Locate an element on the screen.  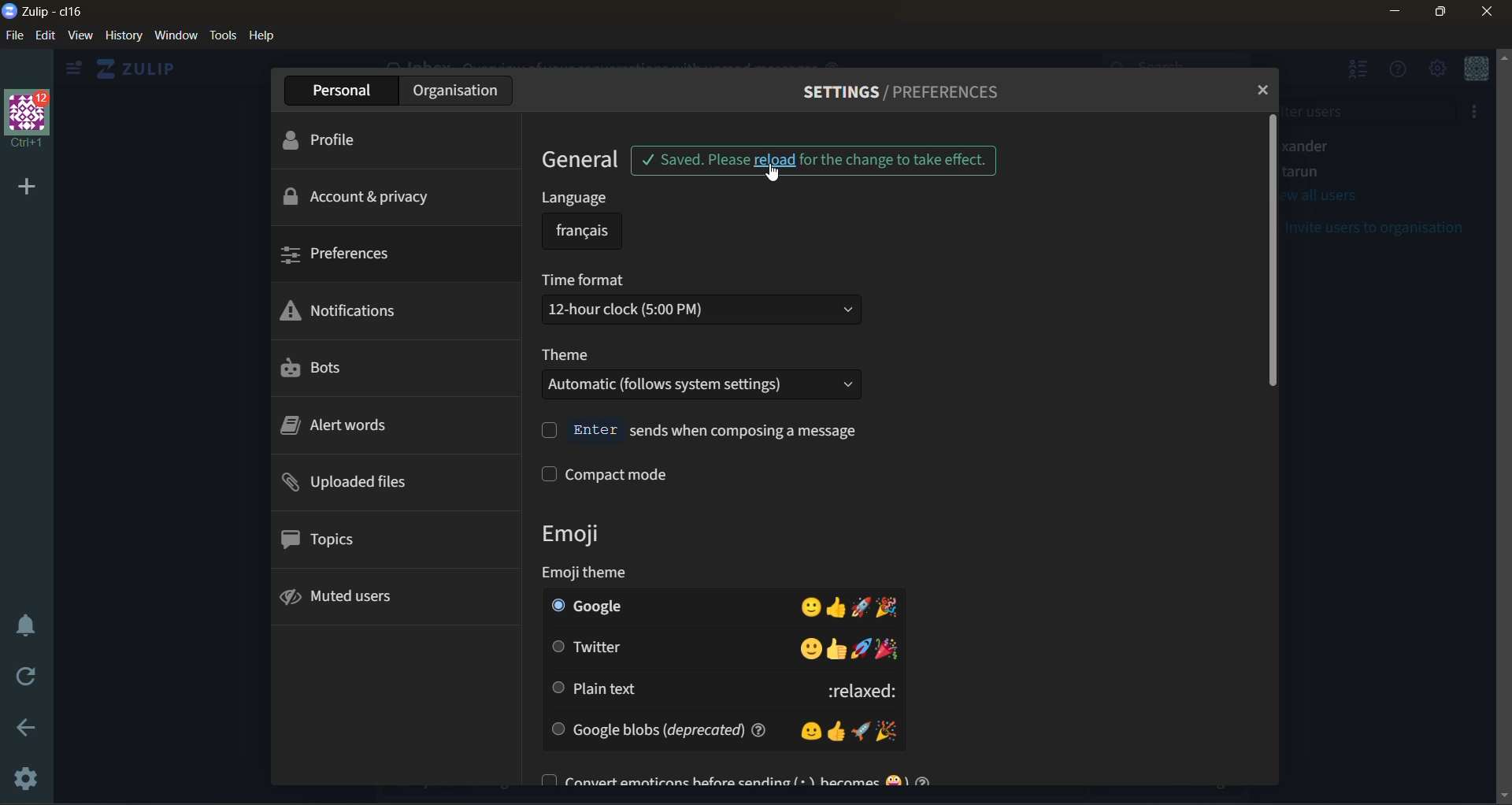
file is located at coordinates (13, 36).